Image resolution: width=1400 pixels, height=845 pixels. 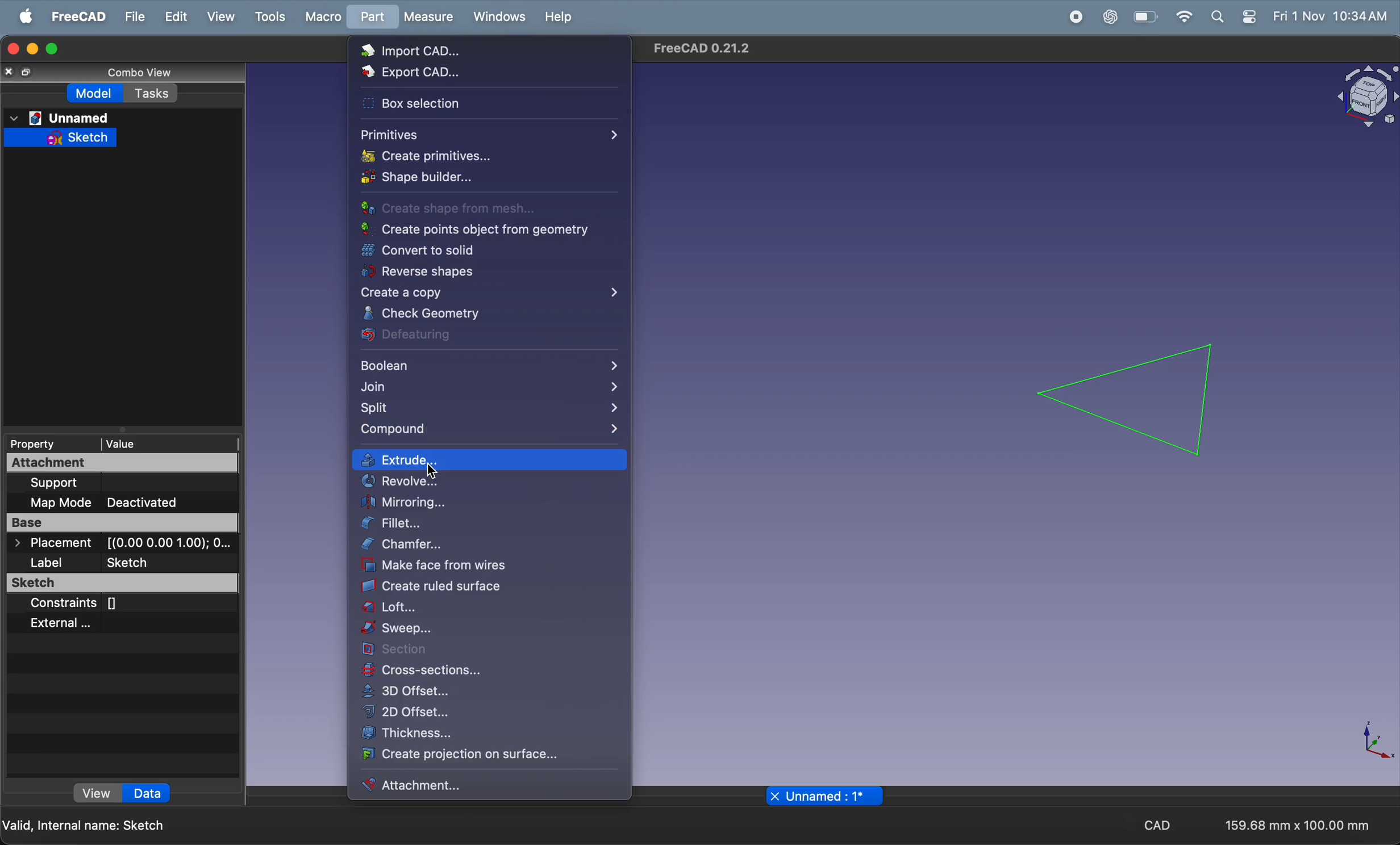 What do you see at coordinates (70, 137) in the screenshot?
I see `sketch` at bounding box center [70, 137].